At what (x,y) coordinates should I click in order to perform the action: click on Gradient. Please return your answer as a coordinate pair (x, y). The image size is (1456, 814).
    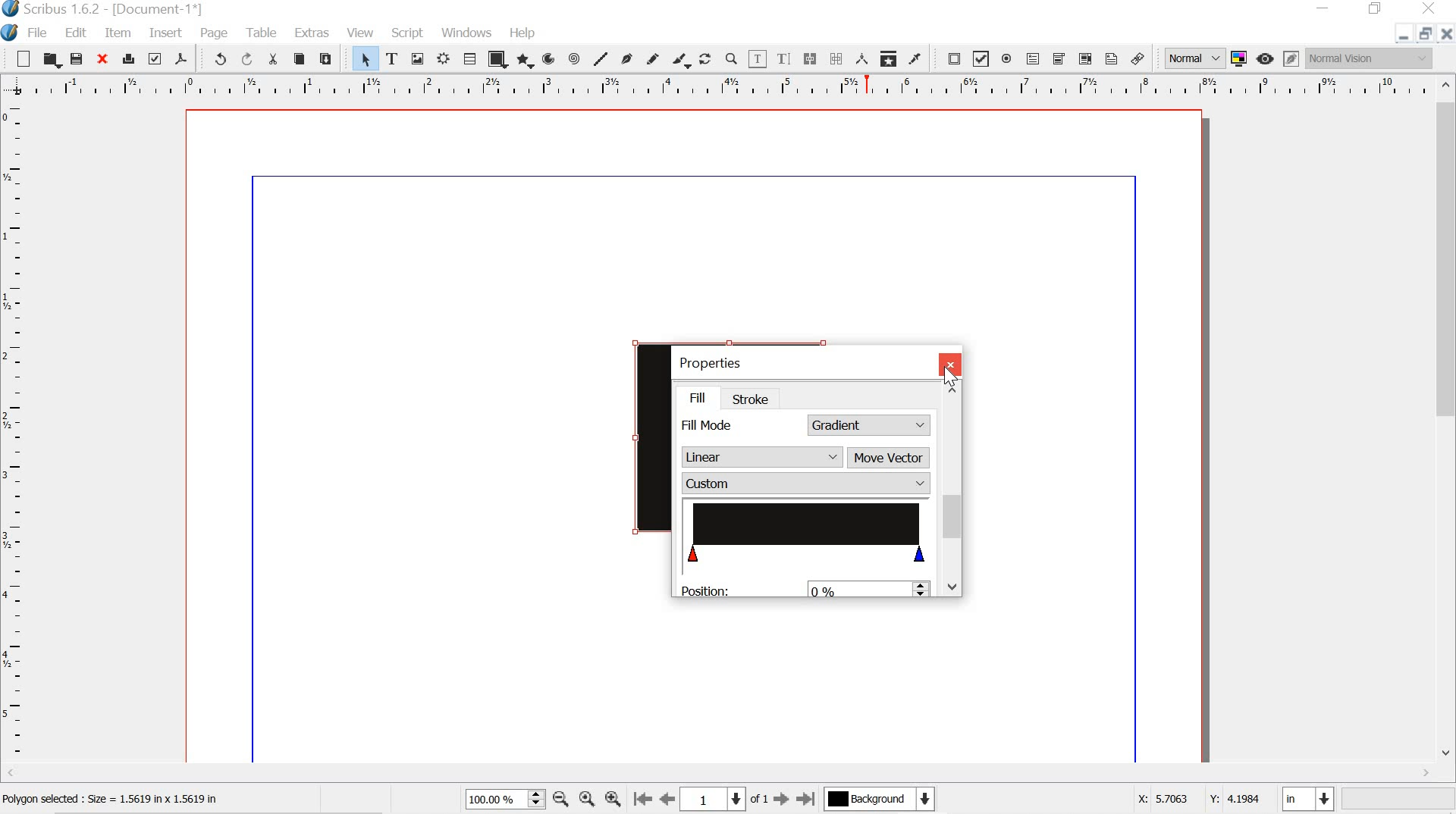
    Looking at the image, I should click on (870, 422).